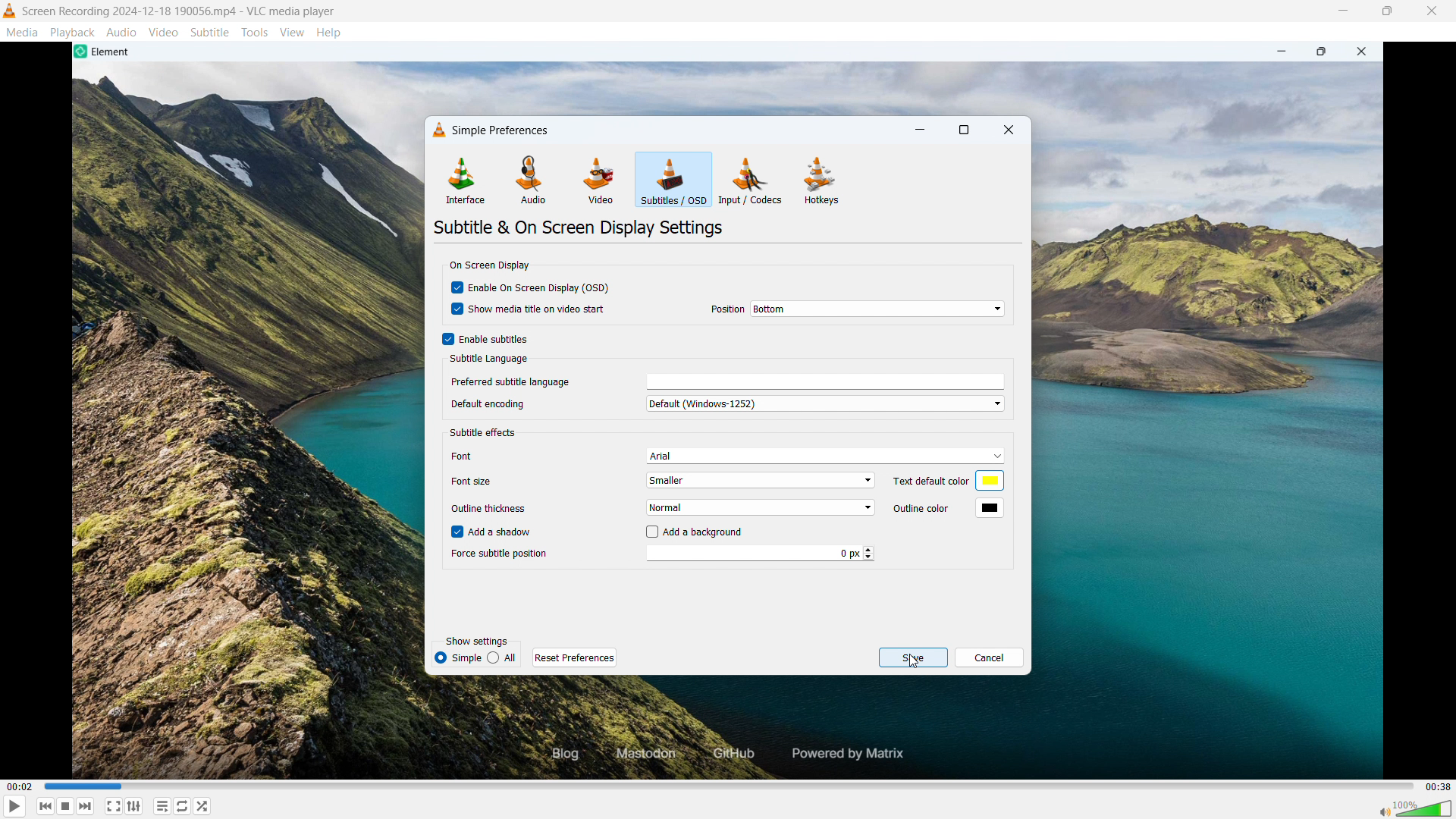 The width and height of the screenshot is (1456, 819). What do you see at coordinates (490, 266) in the screenshot?
I see `On screen display ` at bounding box center [490, 266].